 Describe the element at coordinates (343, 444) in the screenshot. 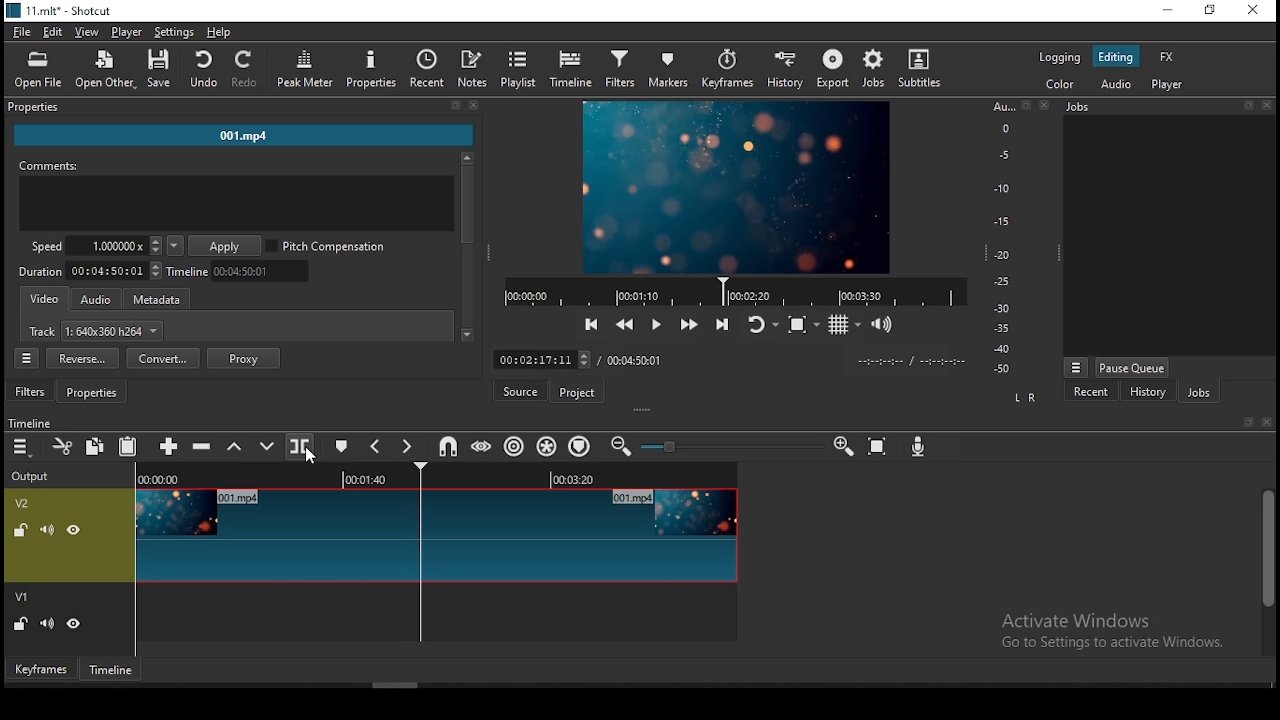

I see `create/edit marker` at that location.